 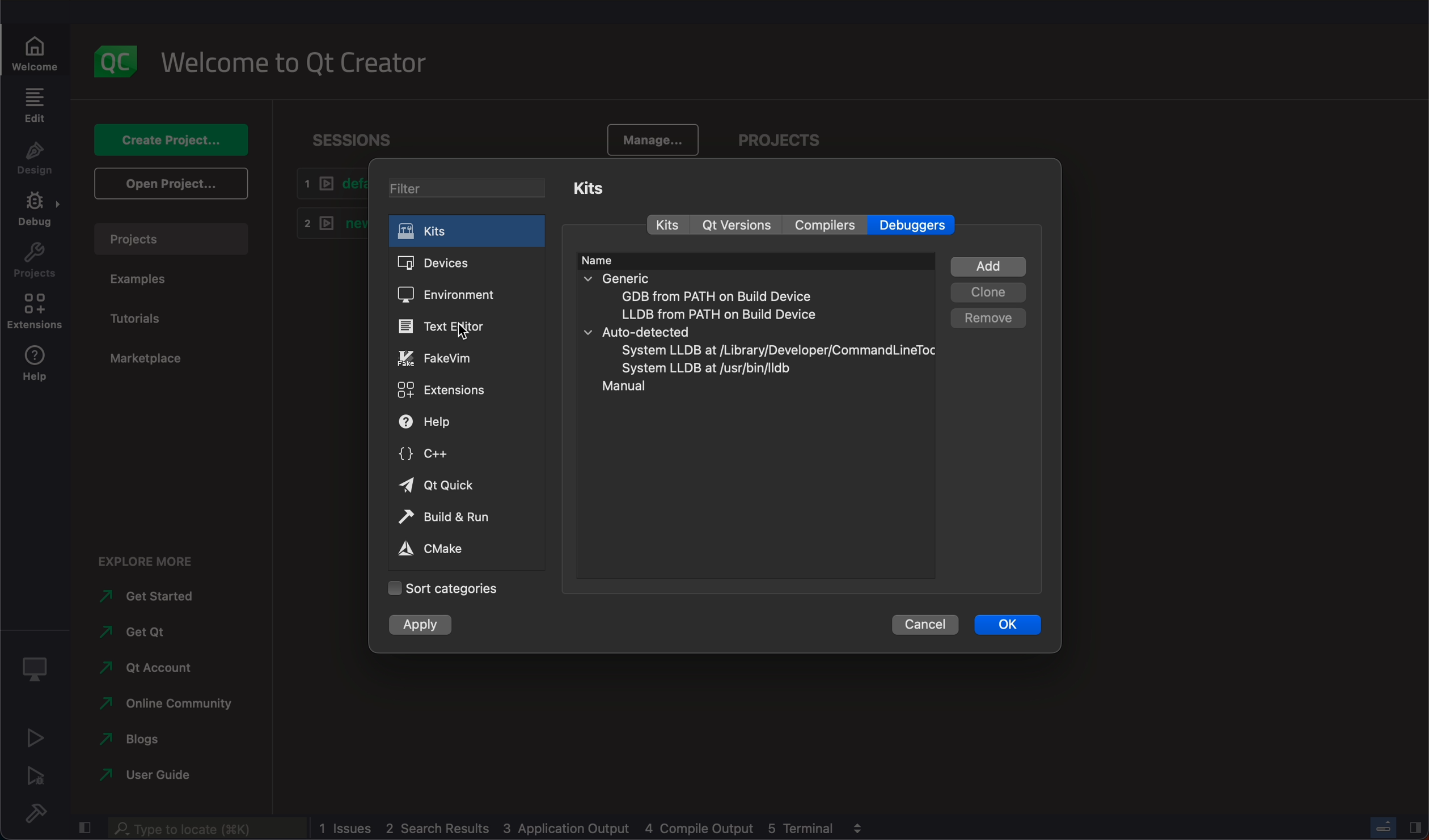 What do you see at coordinates (597, 185) in the screenshot?
I see `kits ` at bounding box center [597, 185].